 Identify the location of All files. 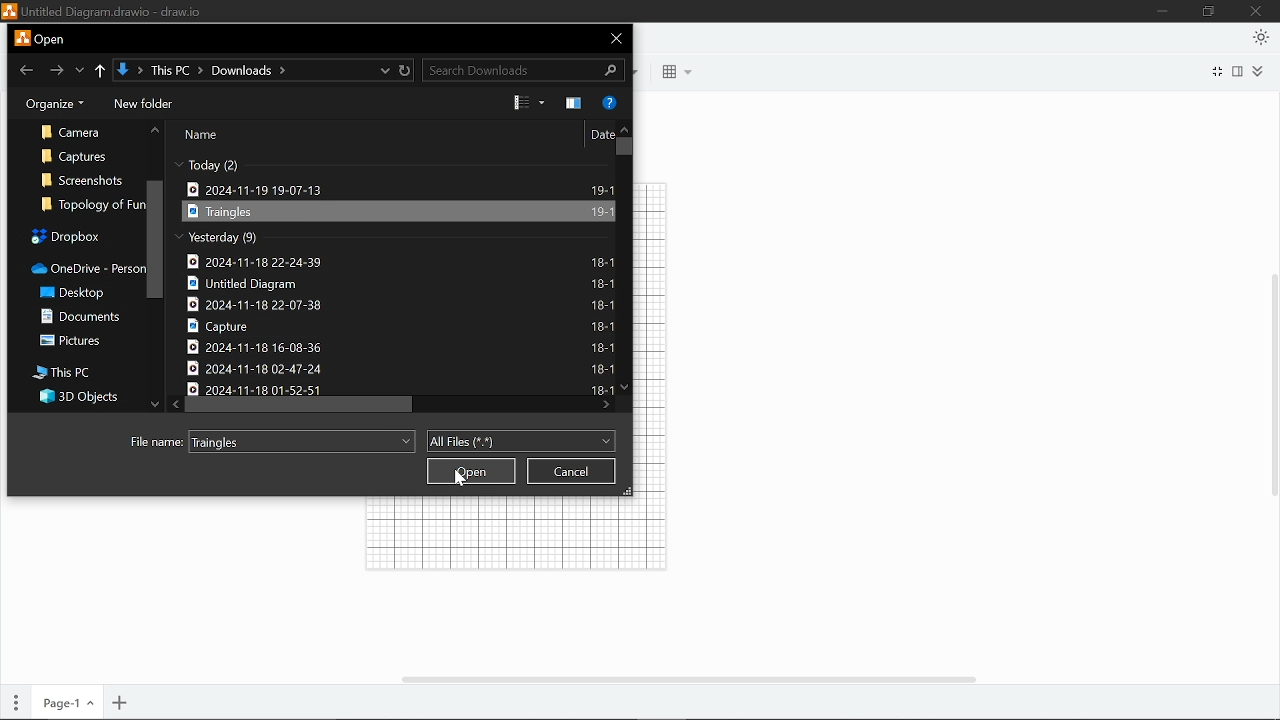
(520, 442).